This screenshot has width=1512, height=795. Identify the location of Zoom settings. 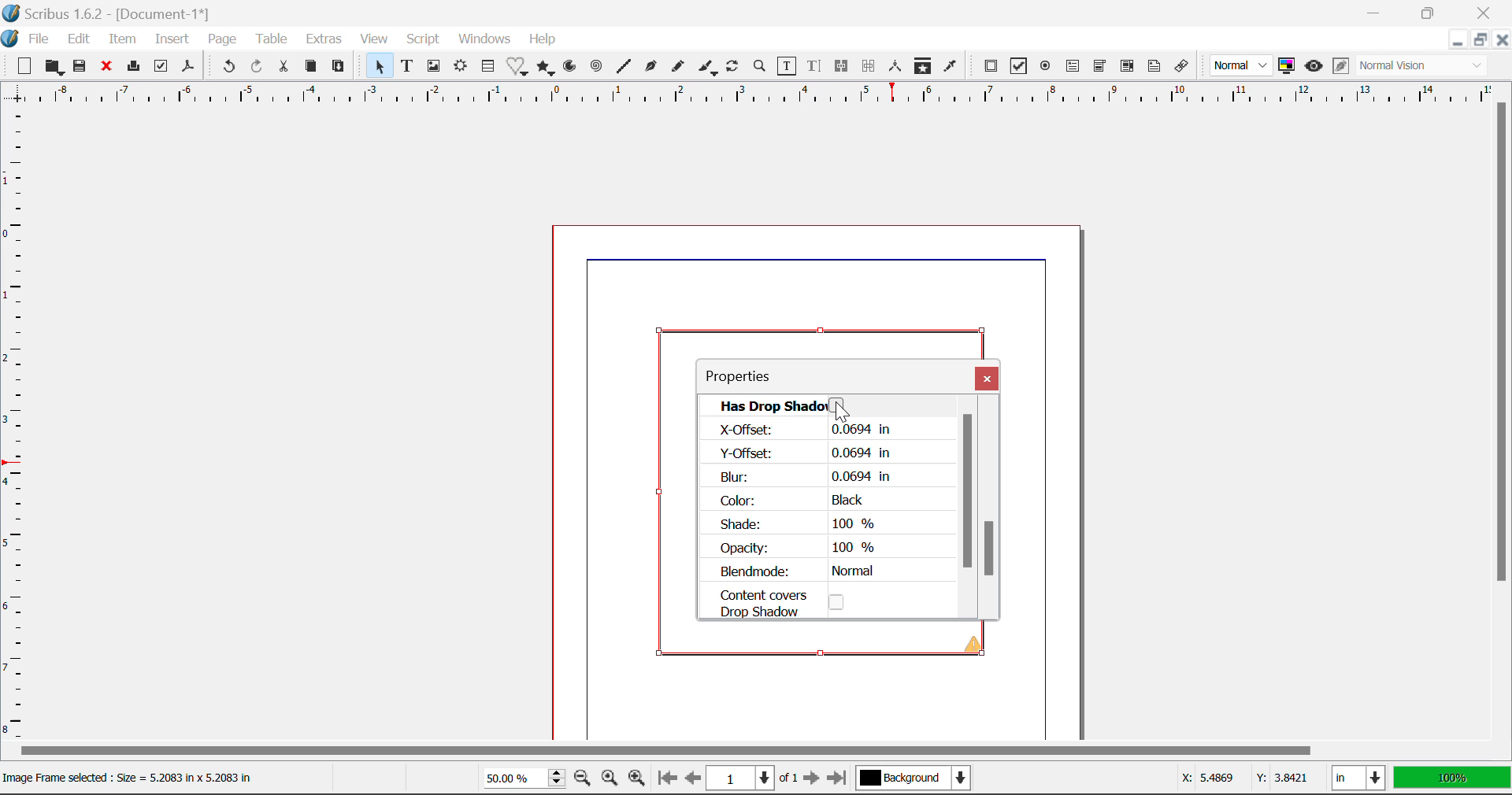
(609, 778).